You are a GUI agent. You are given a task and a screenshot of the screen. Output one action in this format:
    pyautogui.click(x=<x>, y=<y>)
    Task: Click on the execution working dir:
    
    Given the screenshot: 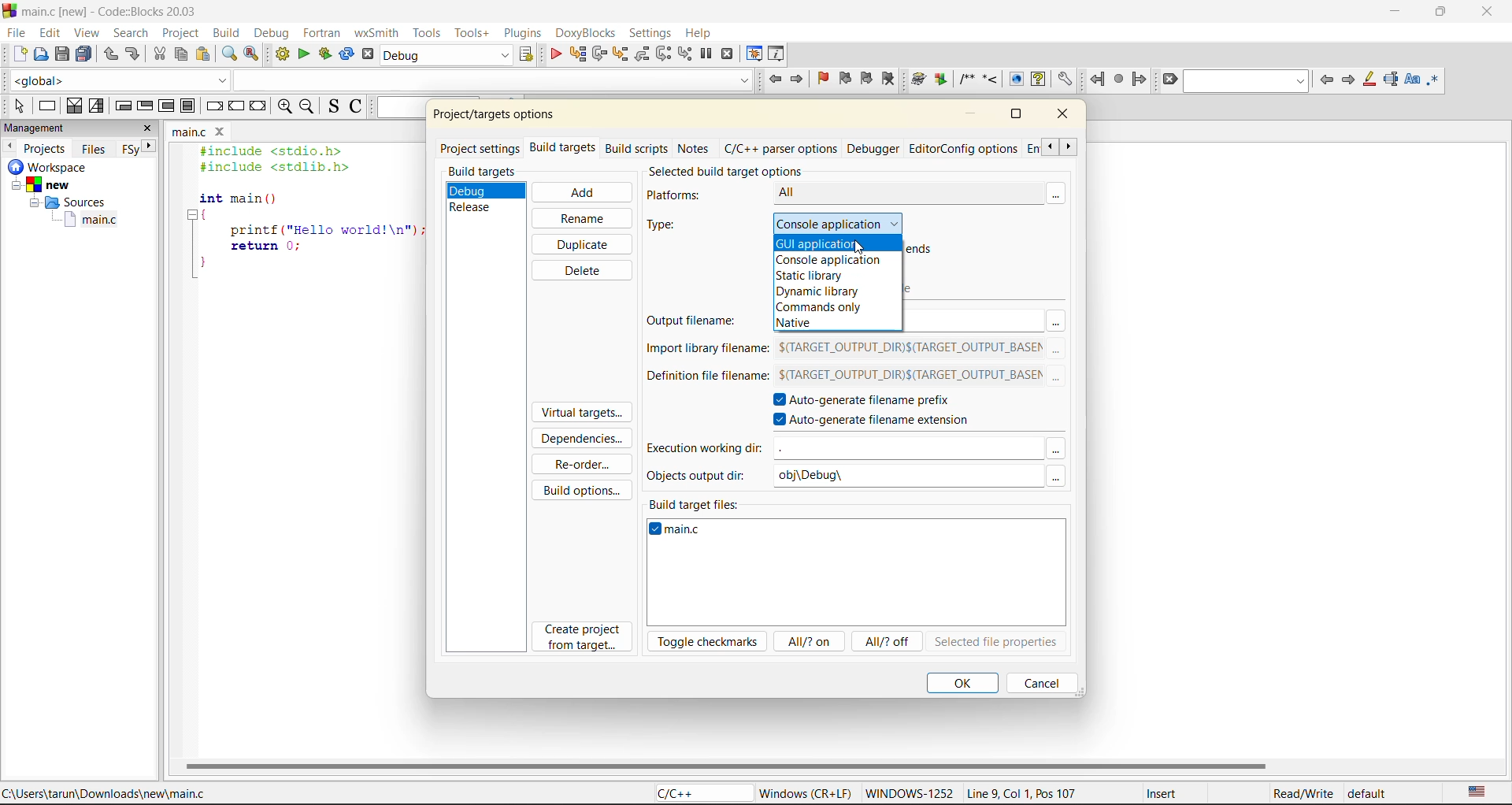 What is the action you would take?
    pyautogui.click(x=705, y=446)
    